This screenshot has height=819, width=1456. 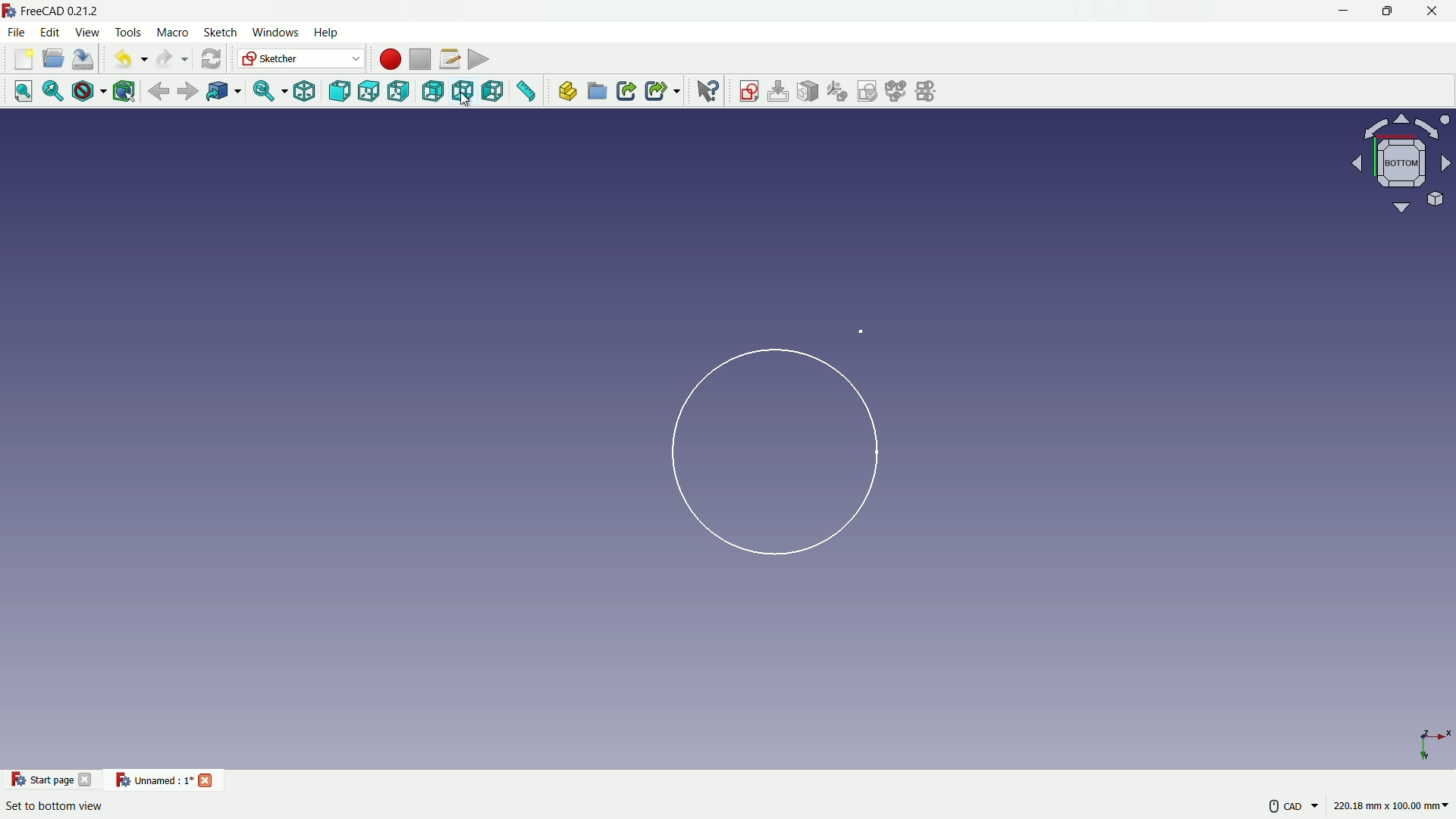 I want to click on redo, so click(x=171, y=58).